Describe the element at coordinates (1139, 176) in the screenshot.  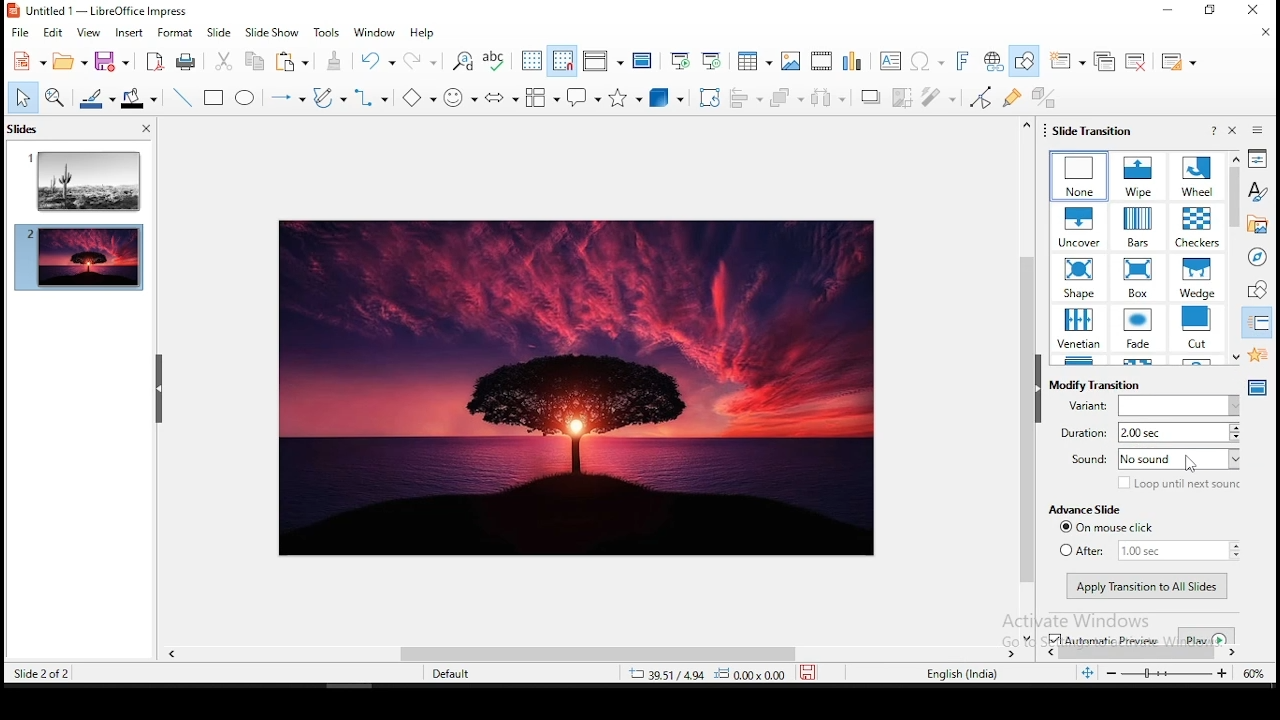
I see `transition effects` at that location.